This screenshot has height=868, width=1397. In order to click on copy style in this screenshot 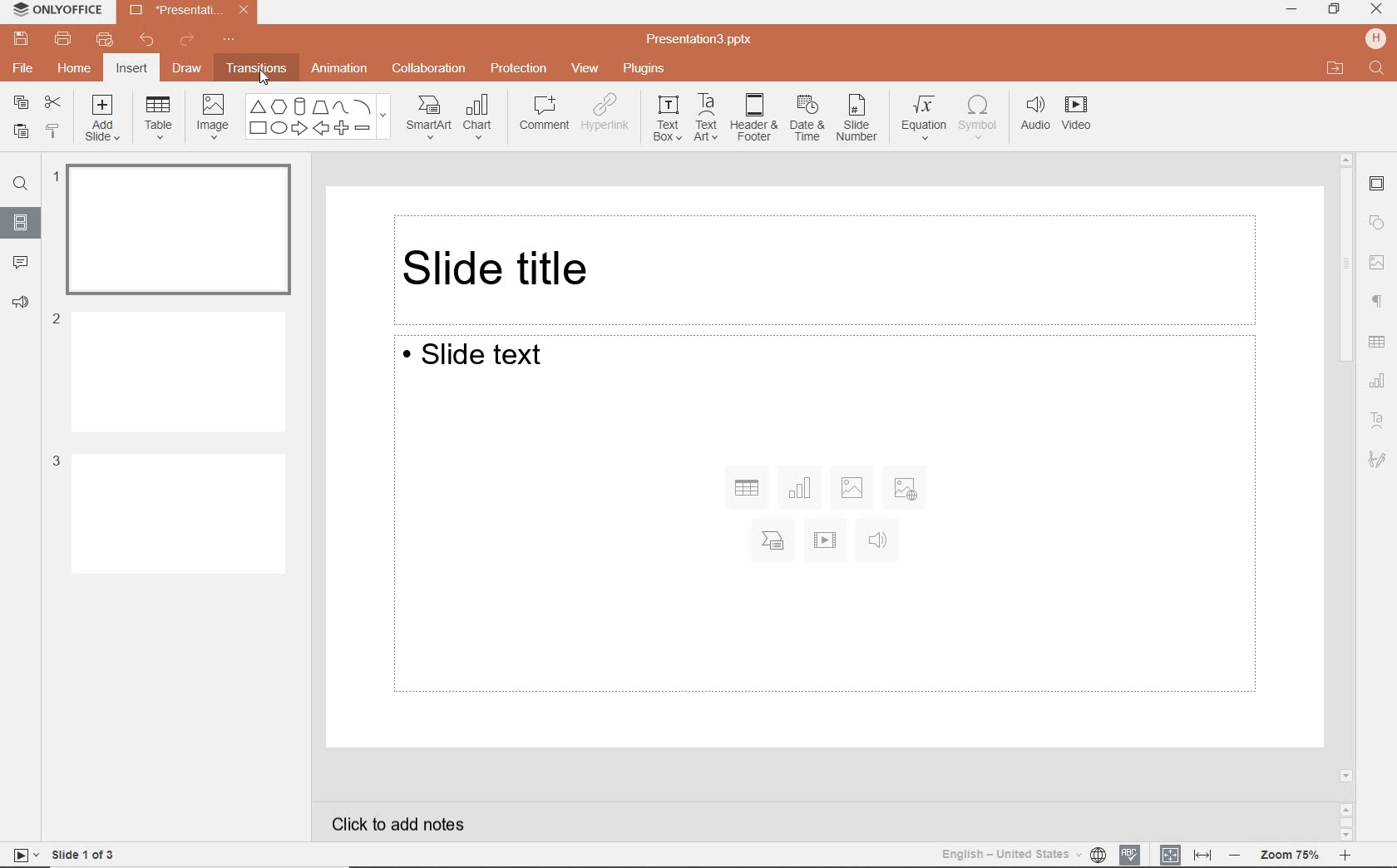, I will do `click(51, 132)`.